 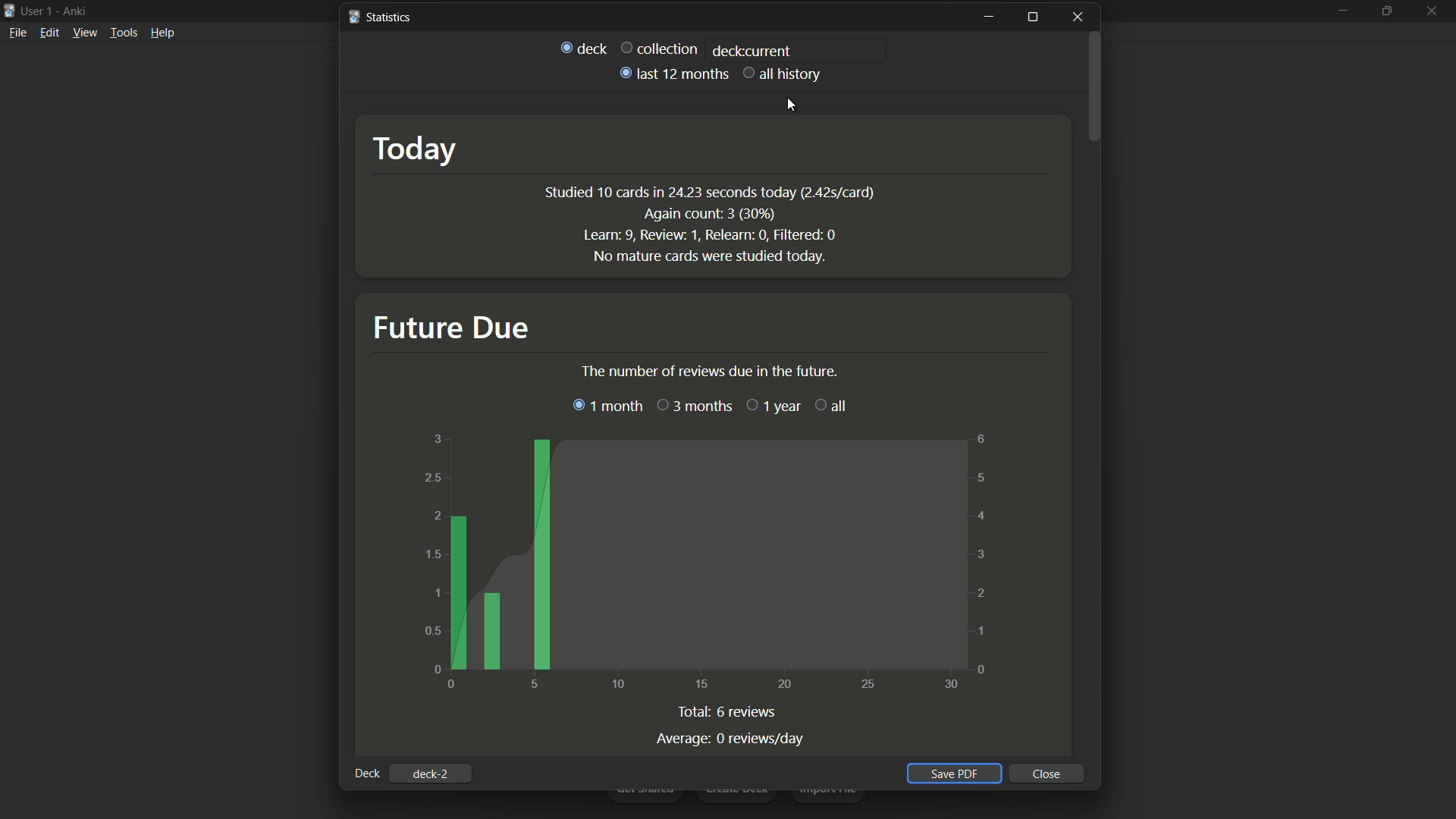 What do you see at coordinates (165, 36) in the screenshot?
I see `Help` at bounding box center [165, 36].